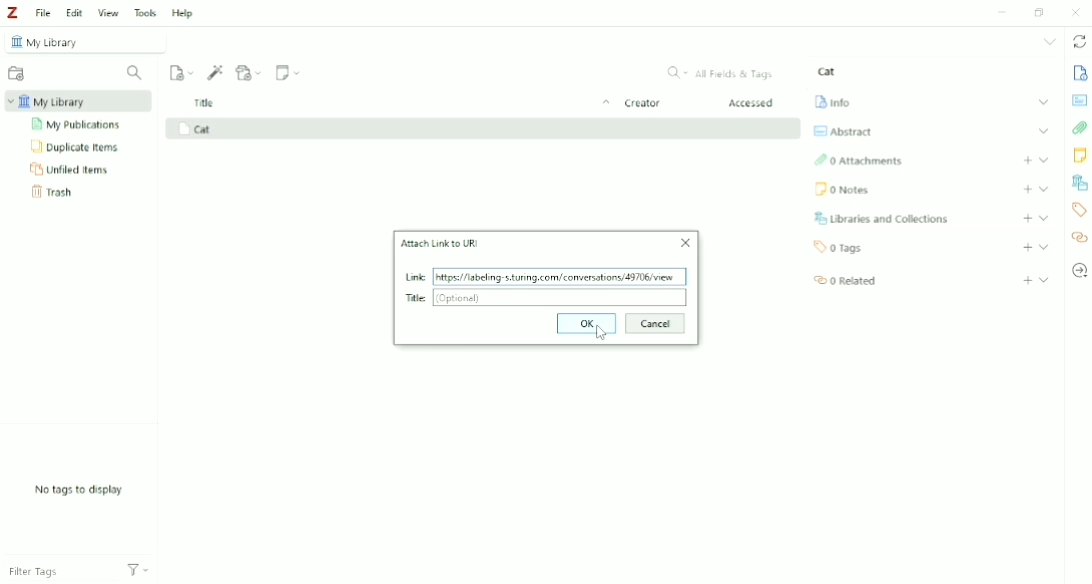 This screenshot has height=584, width=1092. What do you see at coordinates (560, 277) in the screenshot?
I see `https! labeling s.unng.com/ conversations, 43706 view` at bounding box center [560, 277].